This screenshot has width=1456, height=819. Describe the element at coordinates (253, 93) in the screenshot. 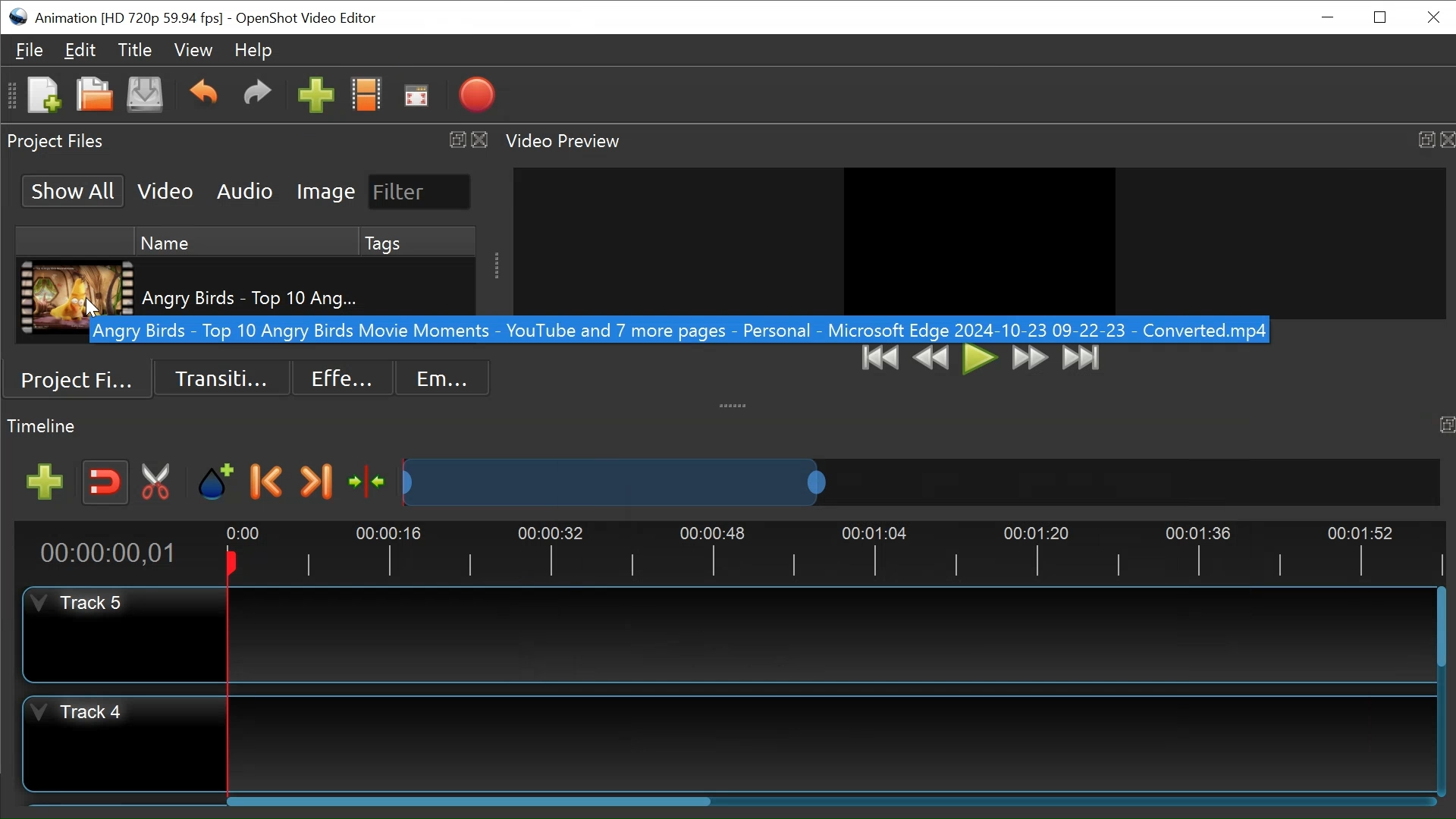

I see `Redo` at that location.